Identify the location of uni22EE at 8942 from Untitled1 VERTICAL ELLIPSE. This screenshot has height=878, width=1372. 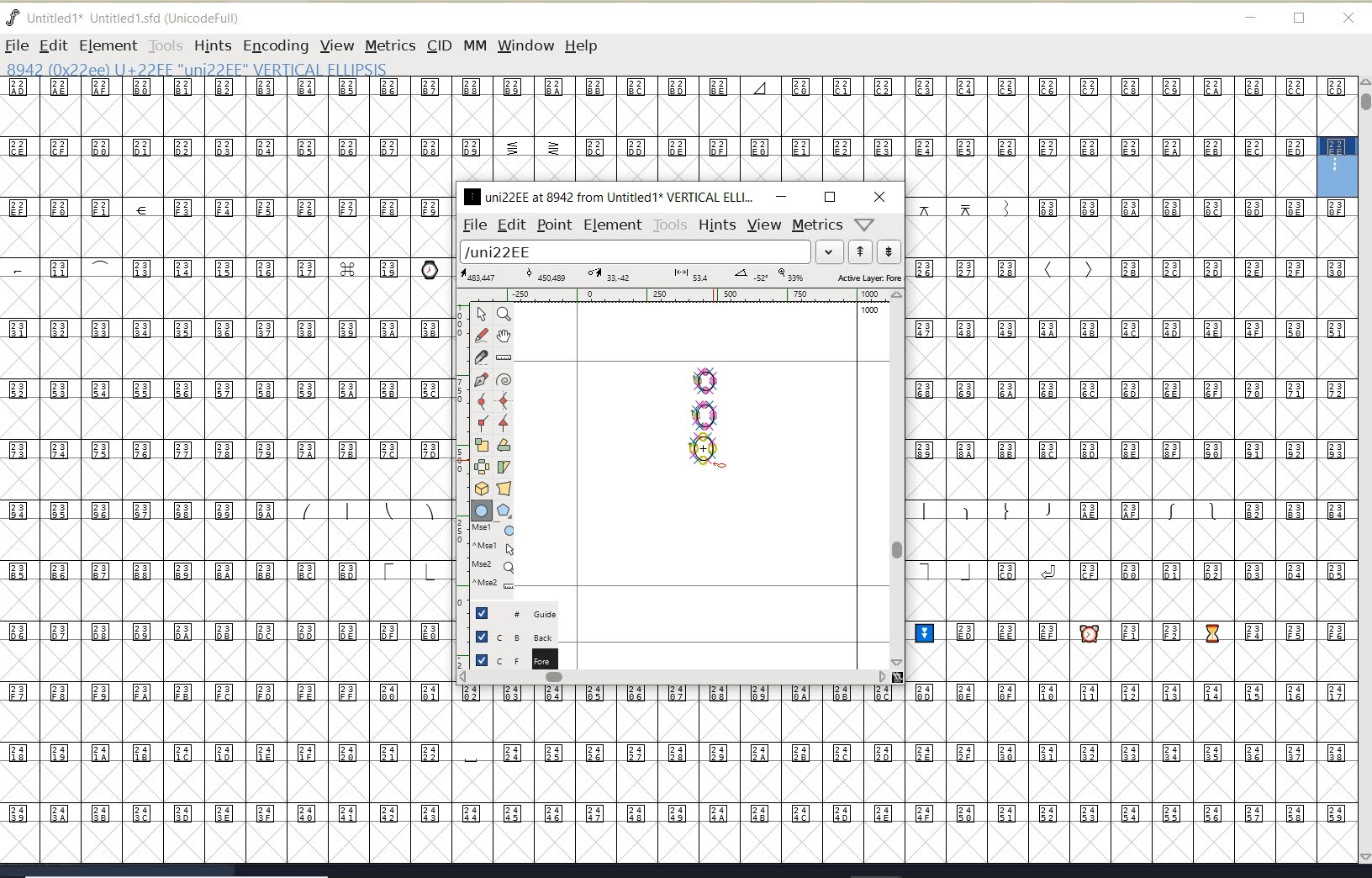
(609, 196).